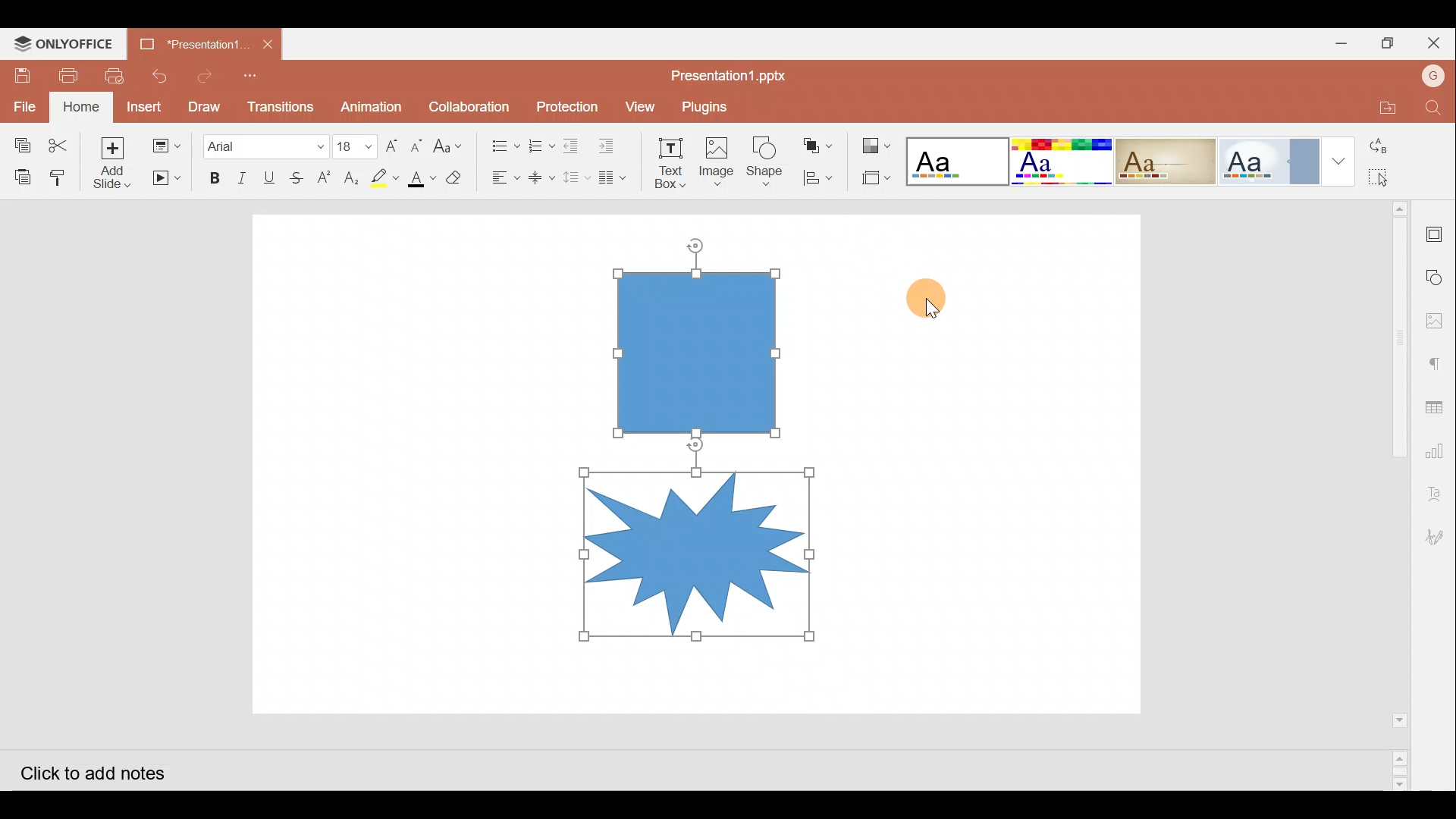 The height and width of the screenshot is (819, 1456). I want to click on Account name, so click(1433, 78).